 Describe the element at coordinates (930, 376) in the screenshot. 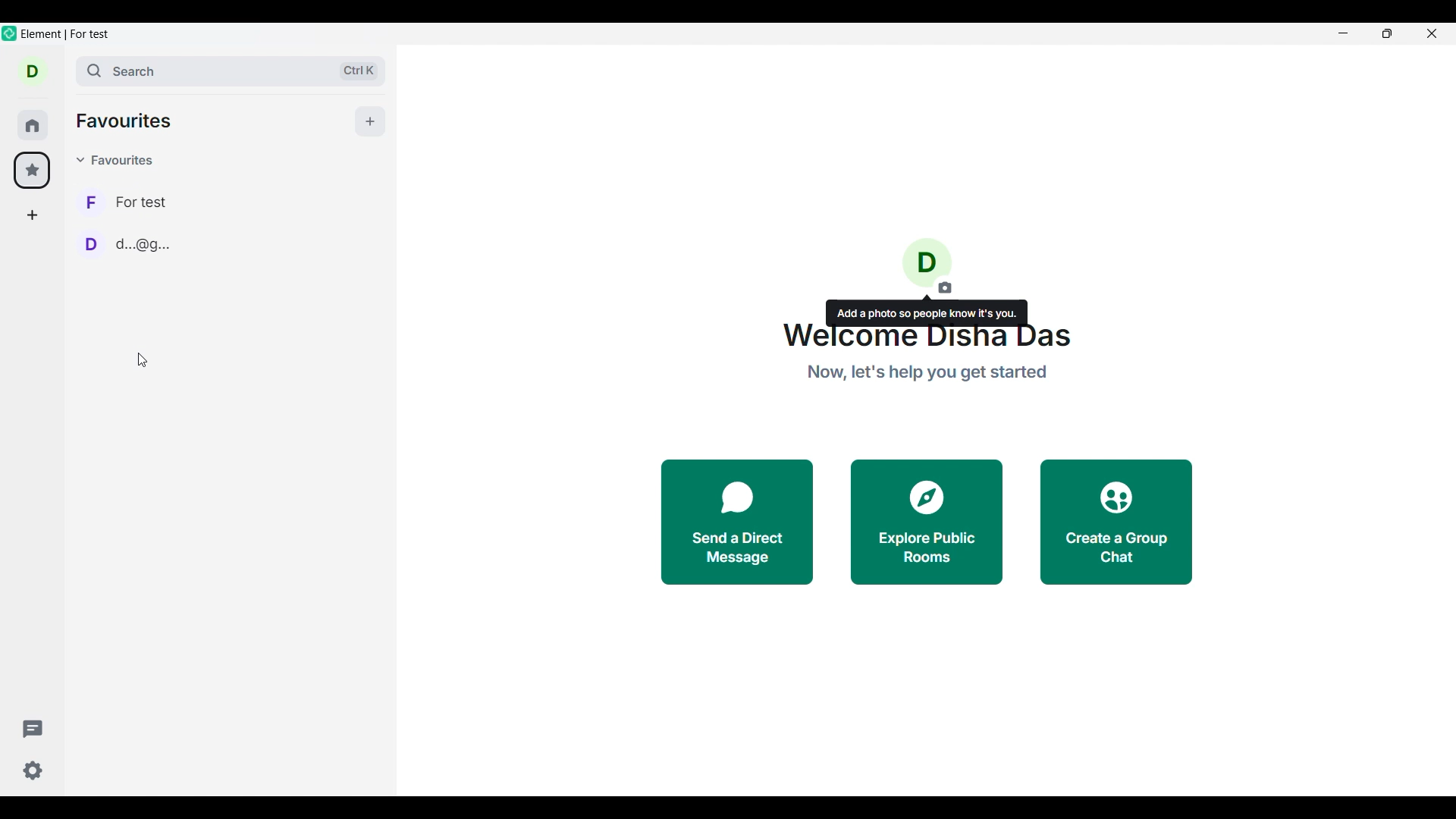

I see `now let's help you get started` at that location.